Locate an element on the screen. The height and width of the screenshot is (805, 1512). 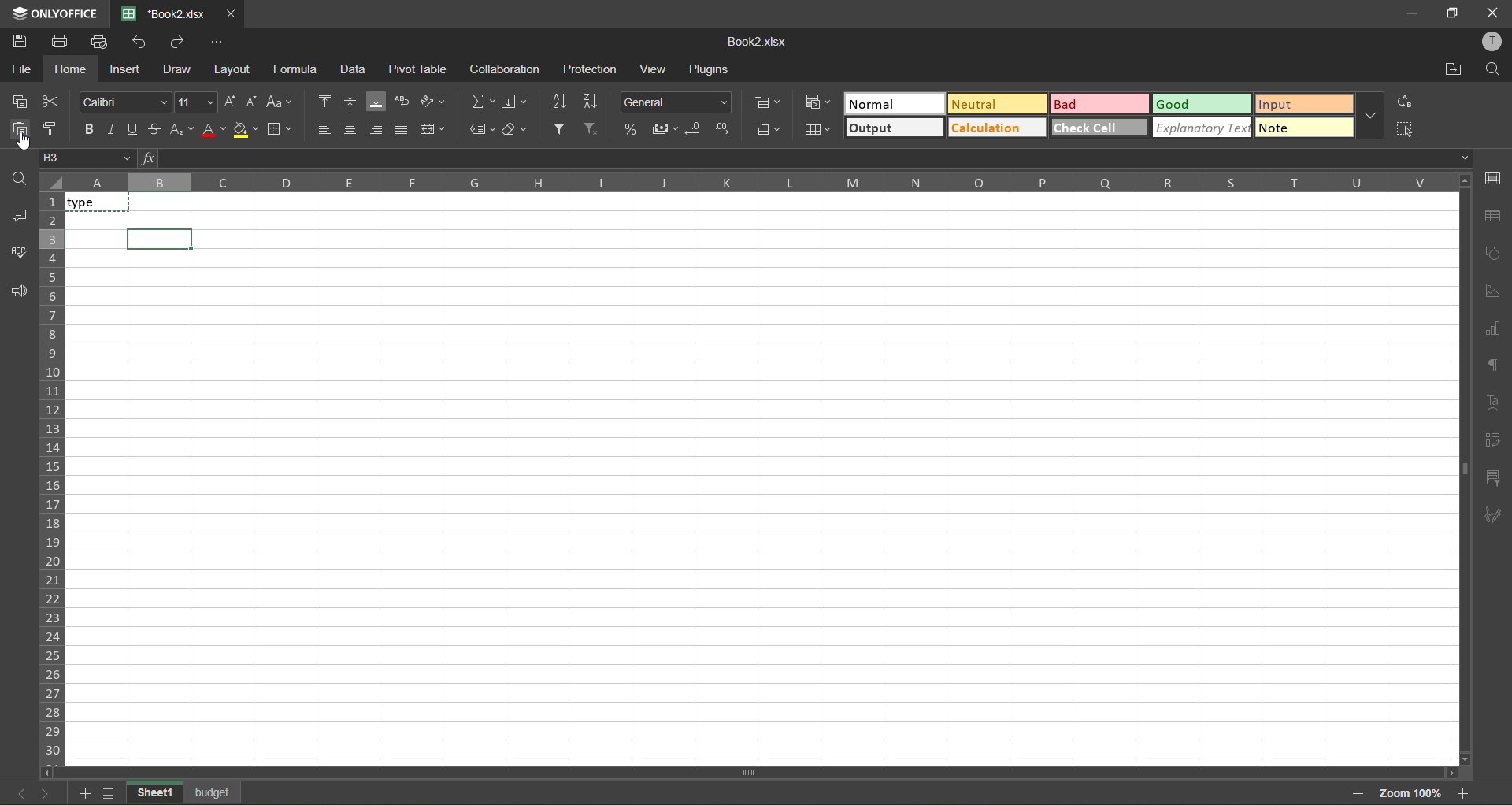
clear filter is located at coordinates (590, 130).